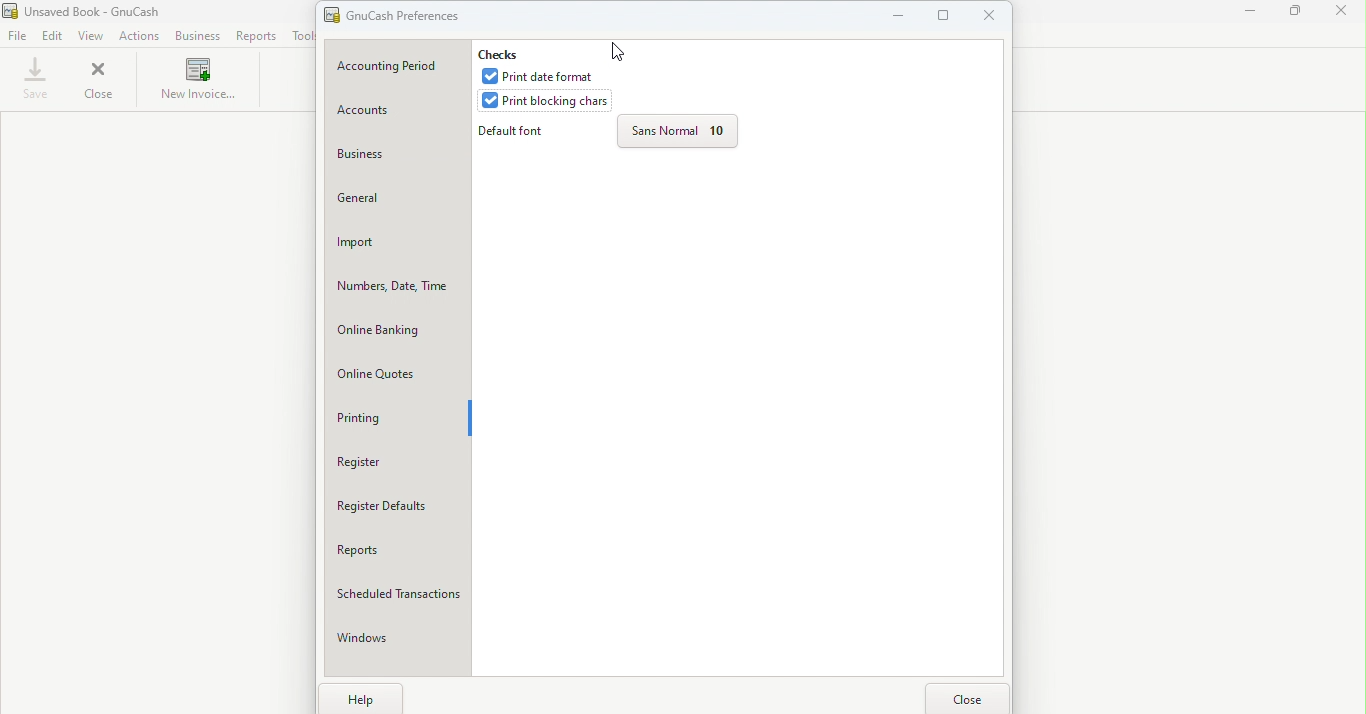 The image size is (1366, 714). I want to click on Default fonts, so click(518, 133).